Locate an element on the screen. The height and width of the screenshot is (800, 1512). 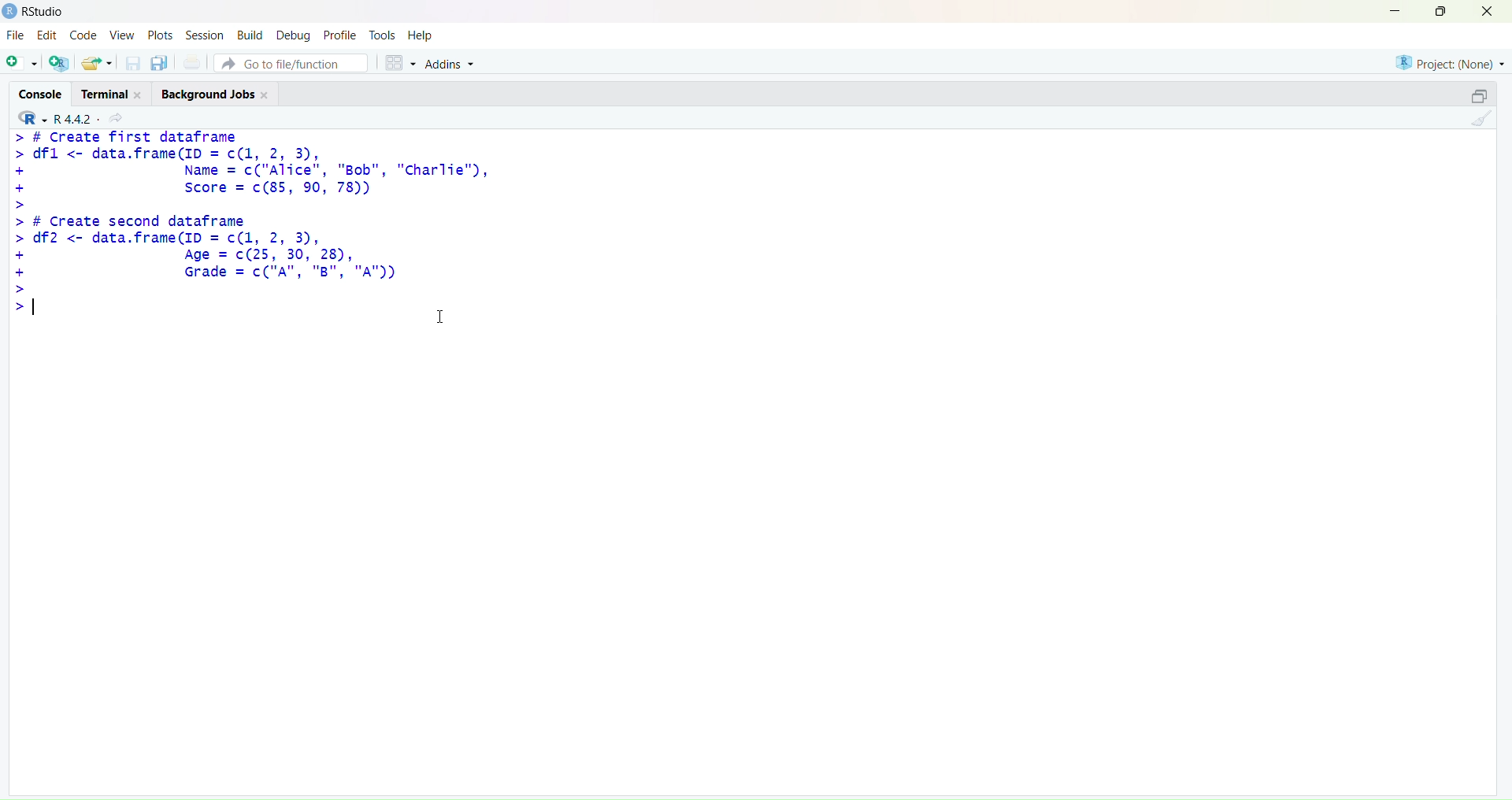
Tools is located at coordinates (381, 35).